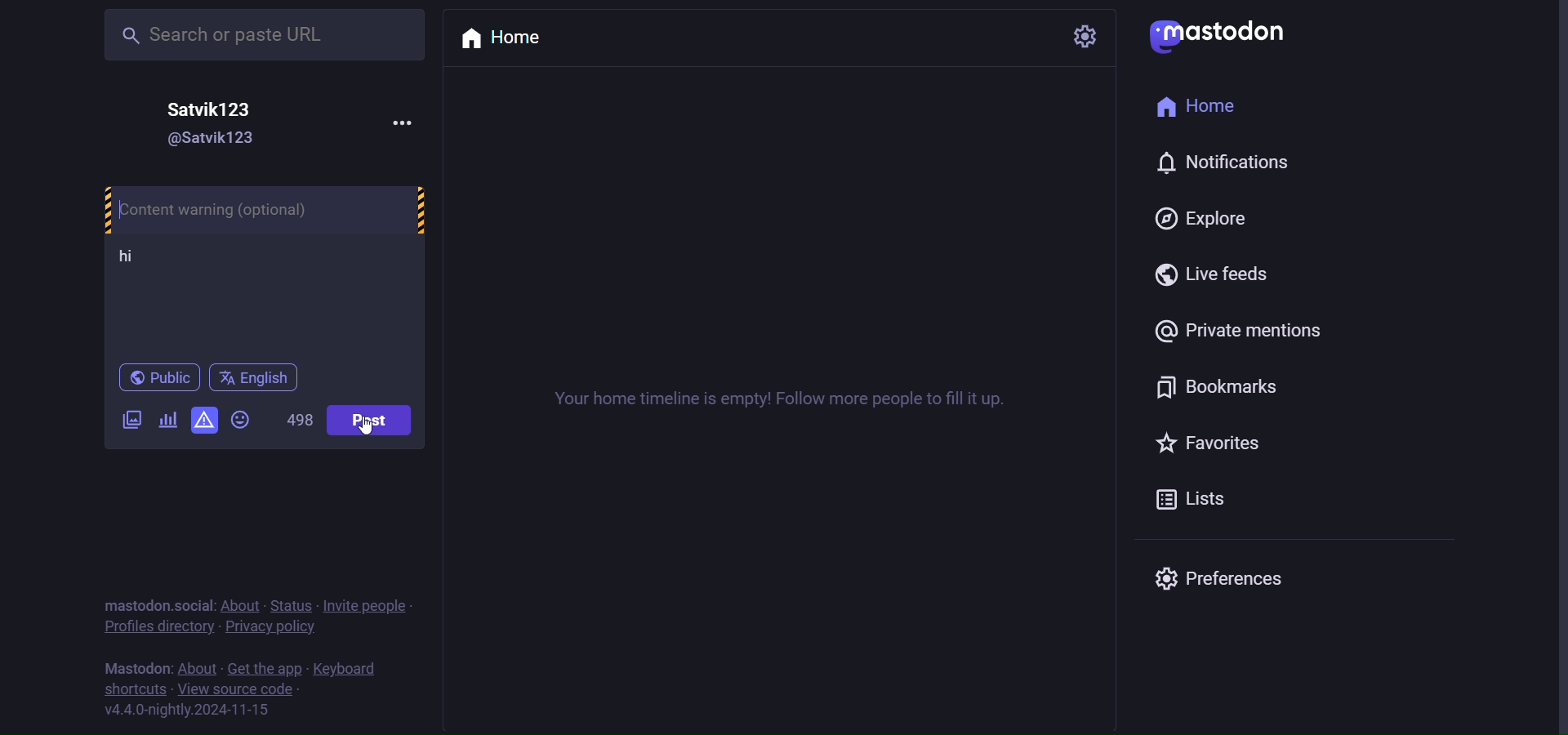 The width and height of the screenshot is (1568, 735). Describe the element at coordinates (135, 691) in the screenshot. I see `shortcut` at that location.